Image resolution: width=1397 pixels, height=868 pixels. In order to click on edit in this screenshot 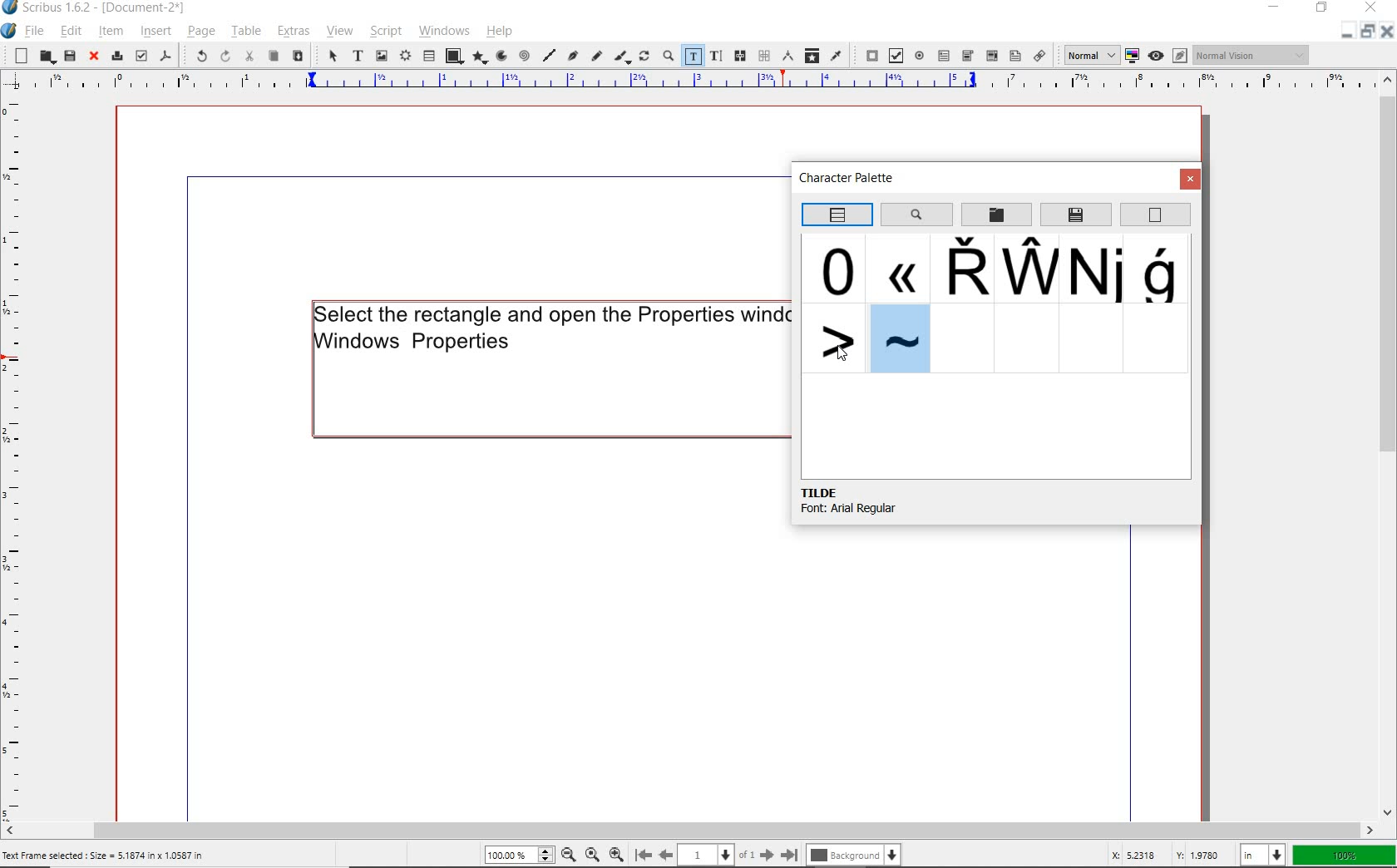, I will do `click(72, 31)`.